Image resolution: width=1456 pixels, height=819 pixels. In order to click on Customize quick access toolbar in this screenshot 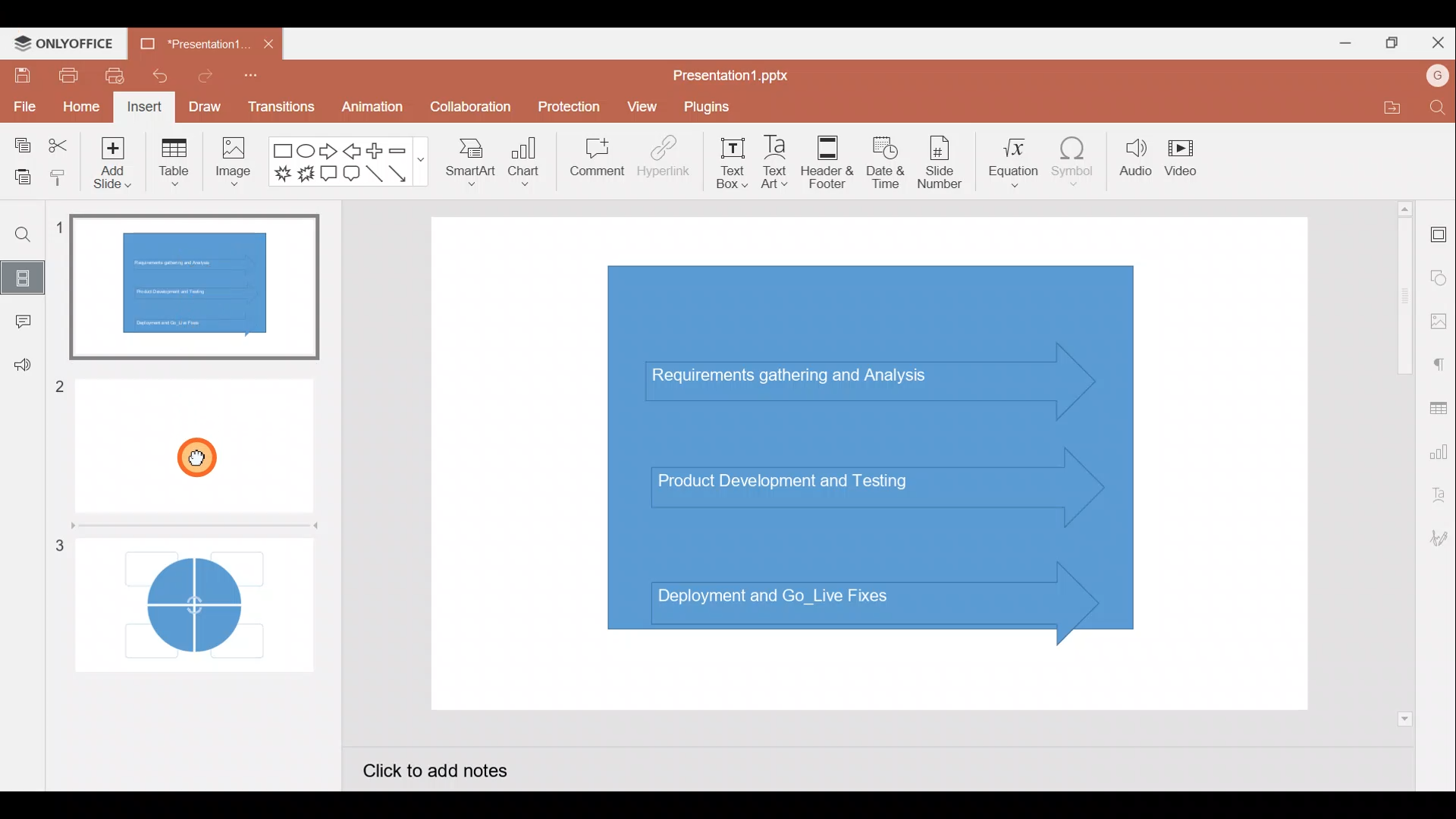, I will do `click(249, 79)`.